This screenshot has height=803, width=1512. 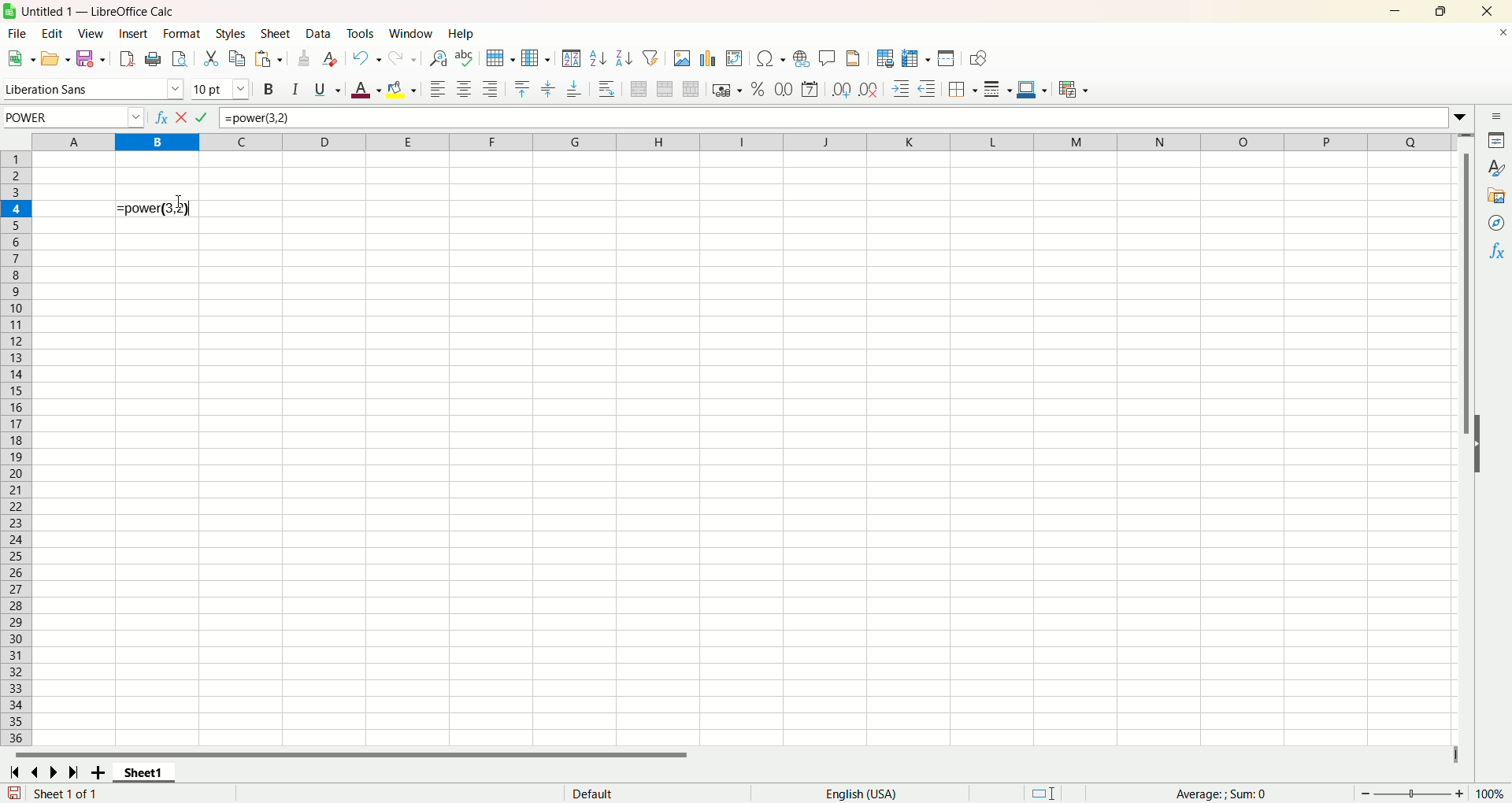 What do you see at coordinates (947, 60) in the screenshot?
I see `split windows` at bounding box center [947, 60].